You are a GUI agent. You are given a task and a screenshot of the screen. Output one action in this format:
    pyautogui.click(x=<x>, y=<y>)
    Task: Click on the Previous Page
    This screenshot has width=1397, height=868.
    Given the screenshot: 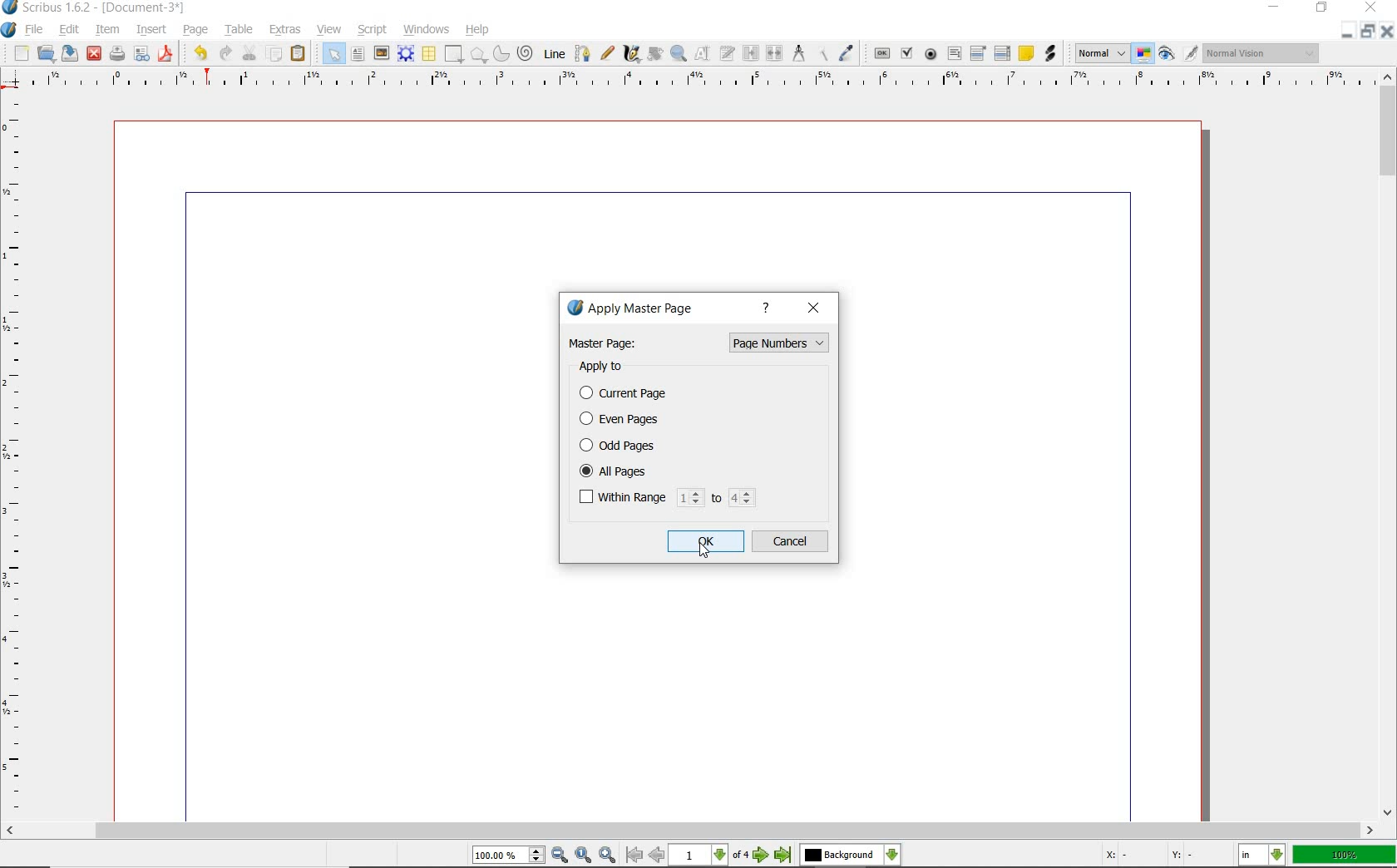 What is the action you would take?
    pyautogui.click(x=657, y=856)
    